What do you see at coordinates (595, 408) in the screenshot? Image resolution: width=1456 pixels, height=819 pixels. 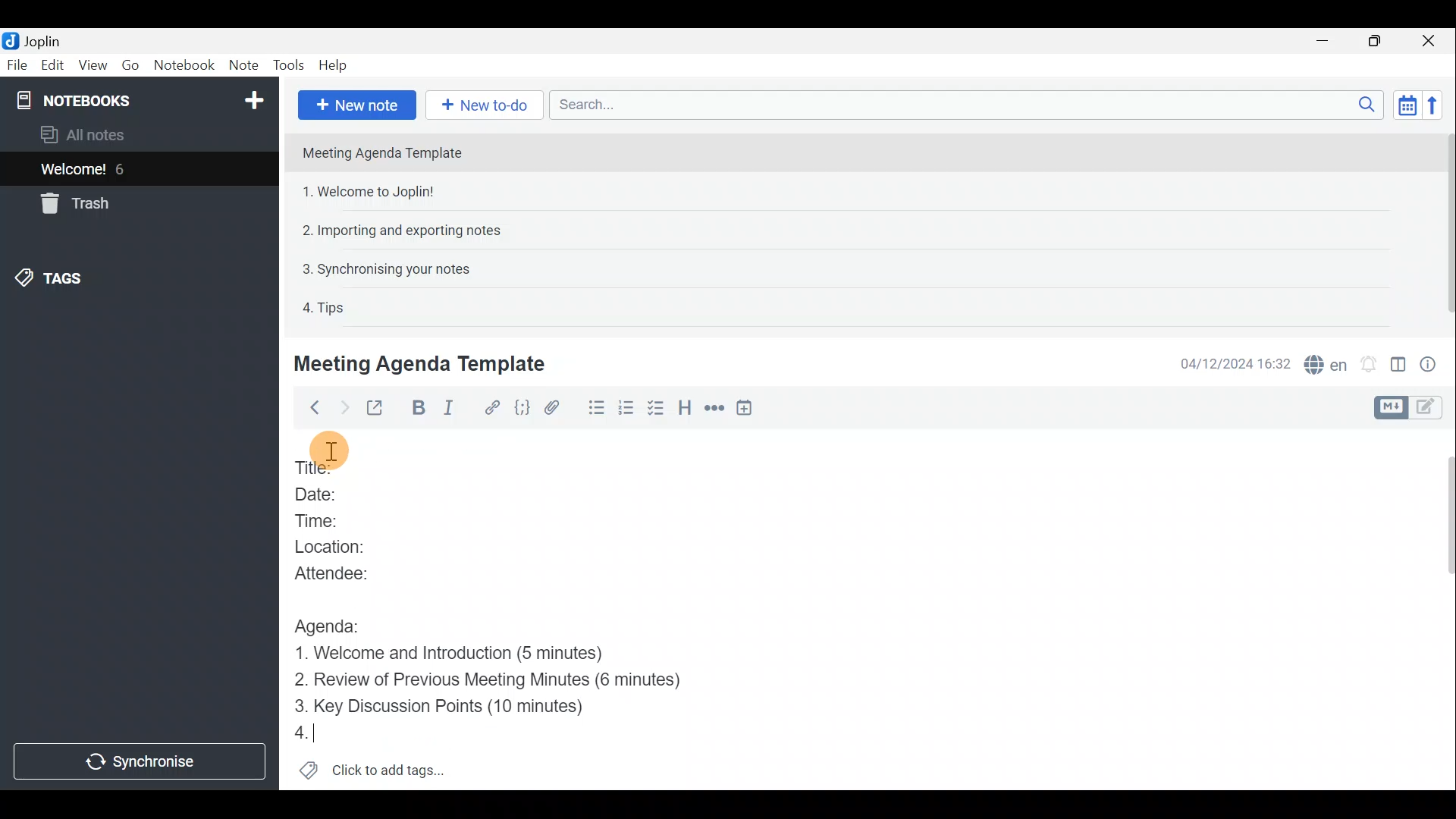 I see `Bulleted list` at bounding box center [595, 408].